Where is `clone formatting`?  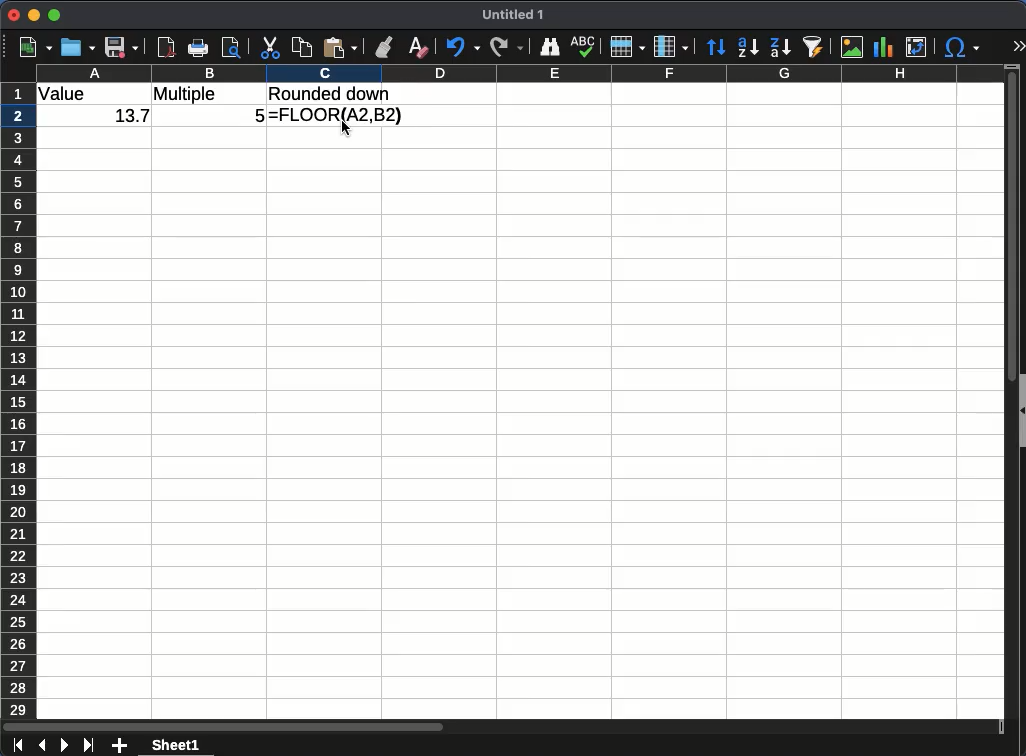 clone formatting is located at coordinates (384, 47).